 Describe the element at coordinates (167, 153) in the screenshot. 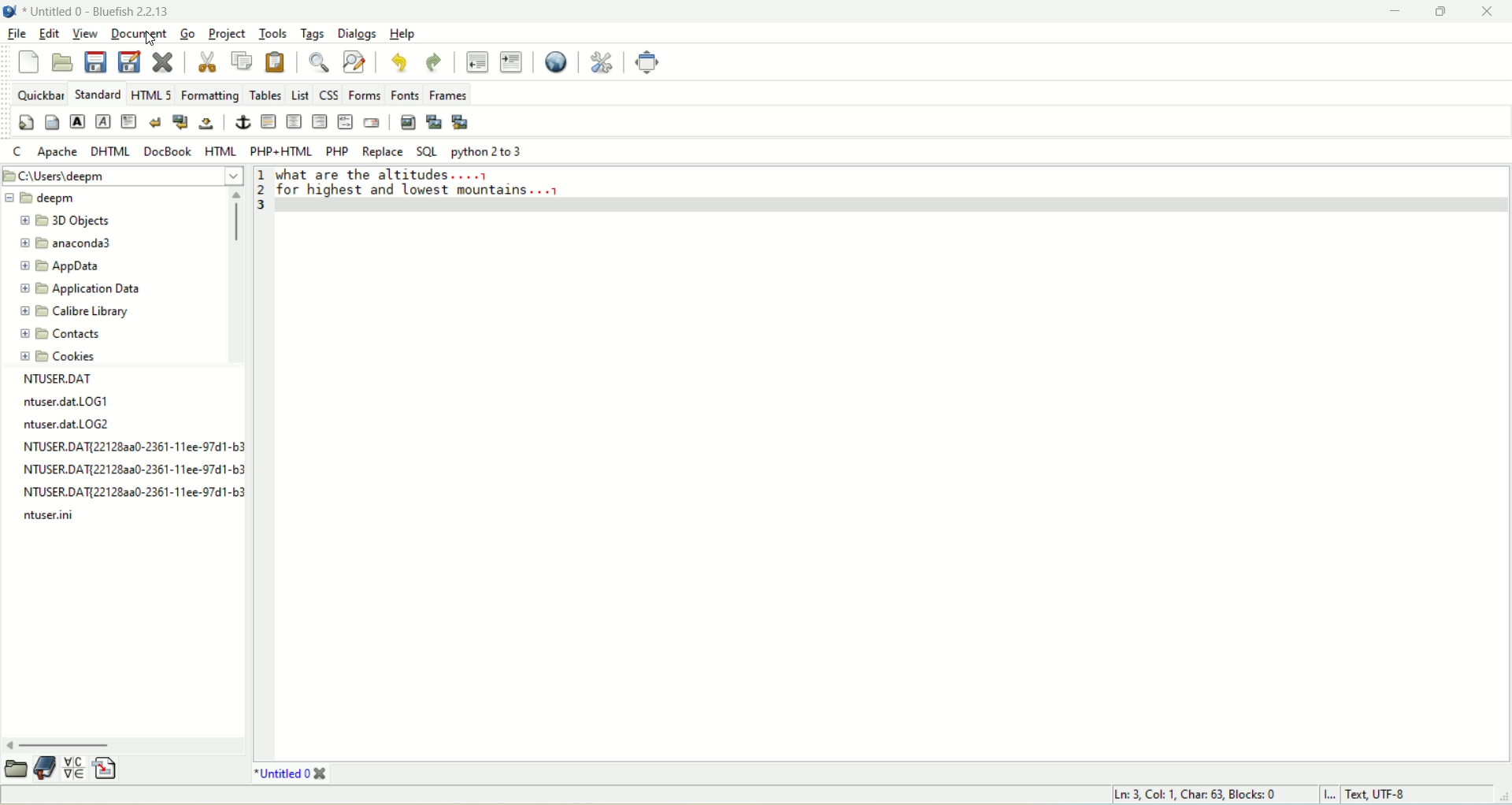

I see `docbook` at that location.